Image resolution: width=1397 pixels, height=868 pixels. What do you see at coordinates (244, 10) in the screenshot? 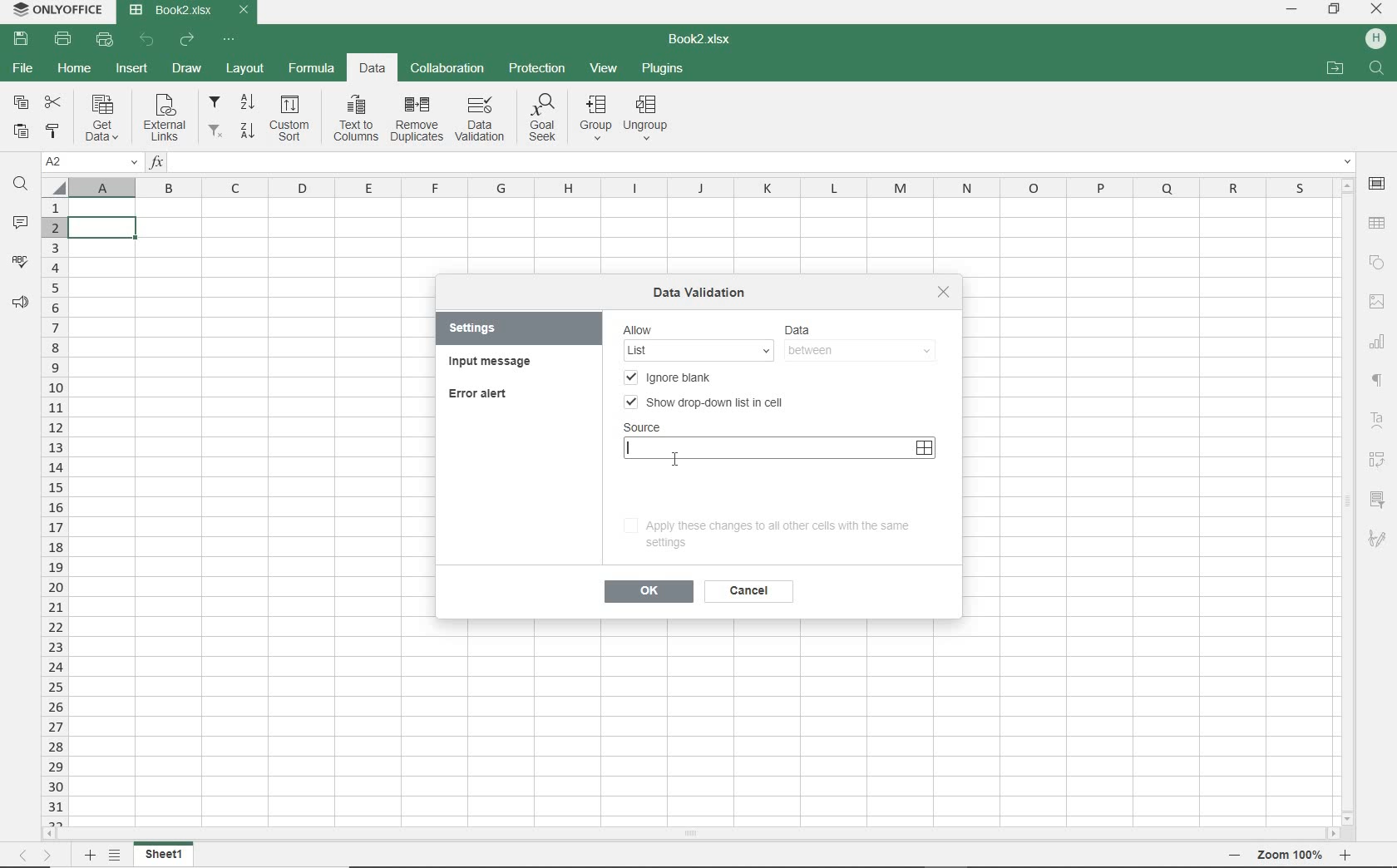
I see `CLOSE TAB` at bounding box center [244, 10].